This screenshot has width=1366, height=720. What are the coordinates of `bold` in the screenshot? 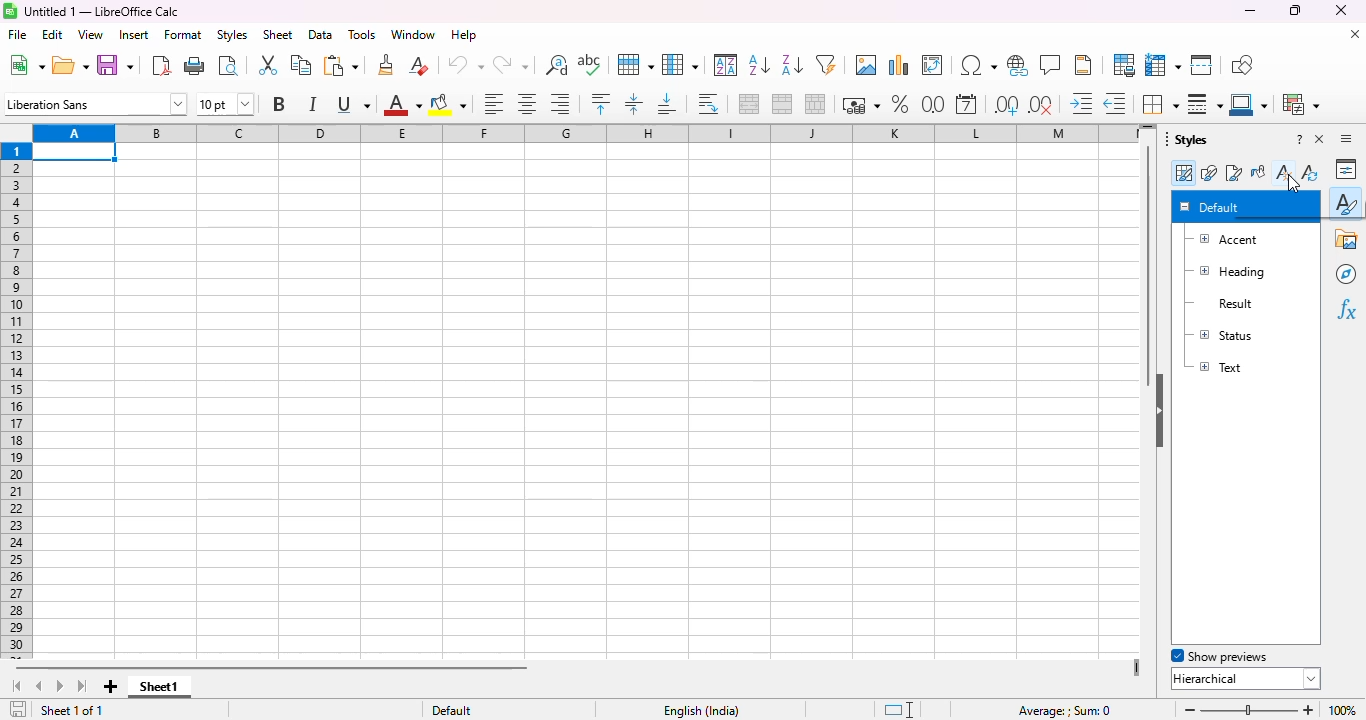 It's located at (277, 104).